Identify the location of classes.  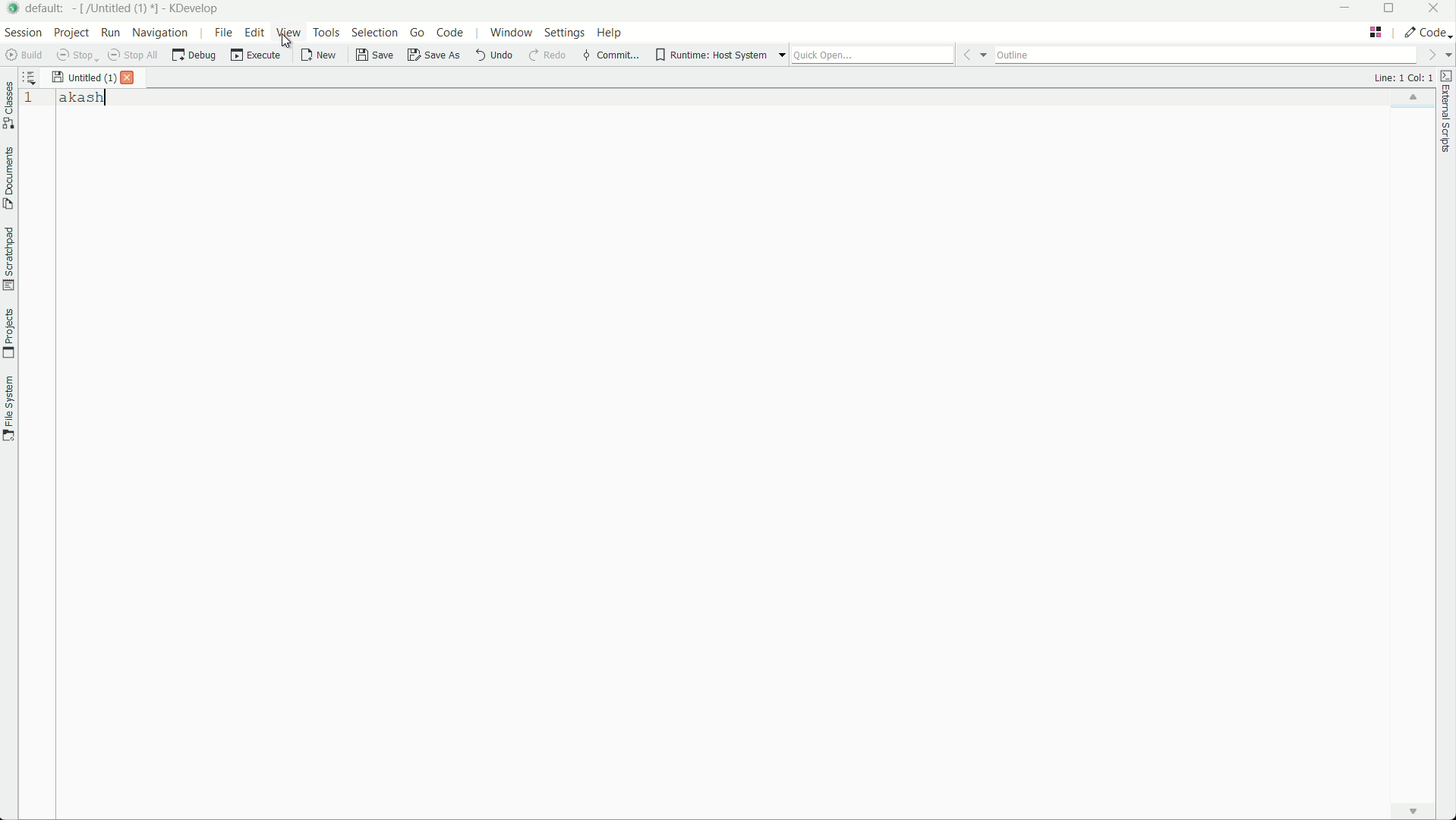
(9, 106).